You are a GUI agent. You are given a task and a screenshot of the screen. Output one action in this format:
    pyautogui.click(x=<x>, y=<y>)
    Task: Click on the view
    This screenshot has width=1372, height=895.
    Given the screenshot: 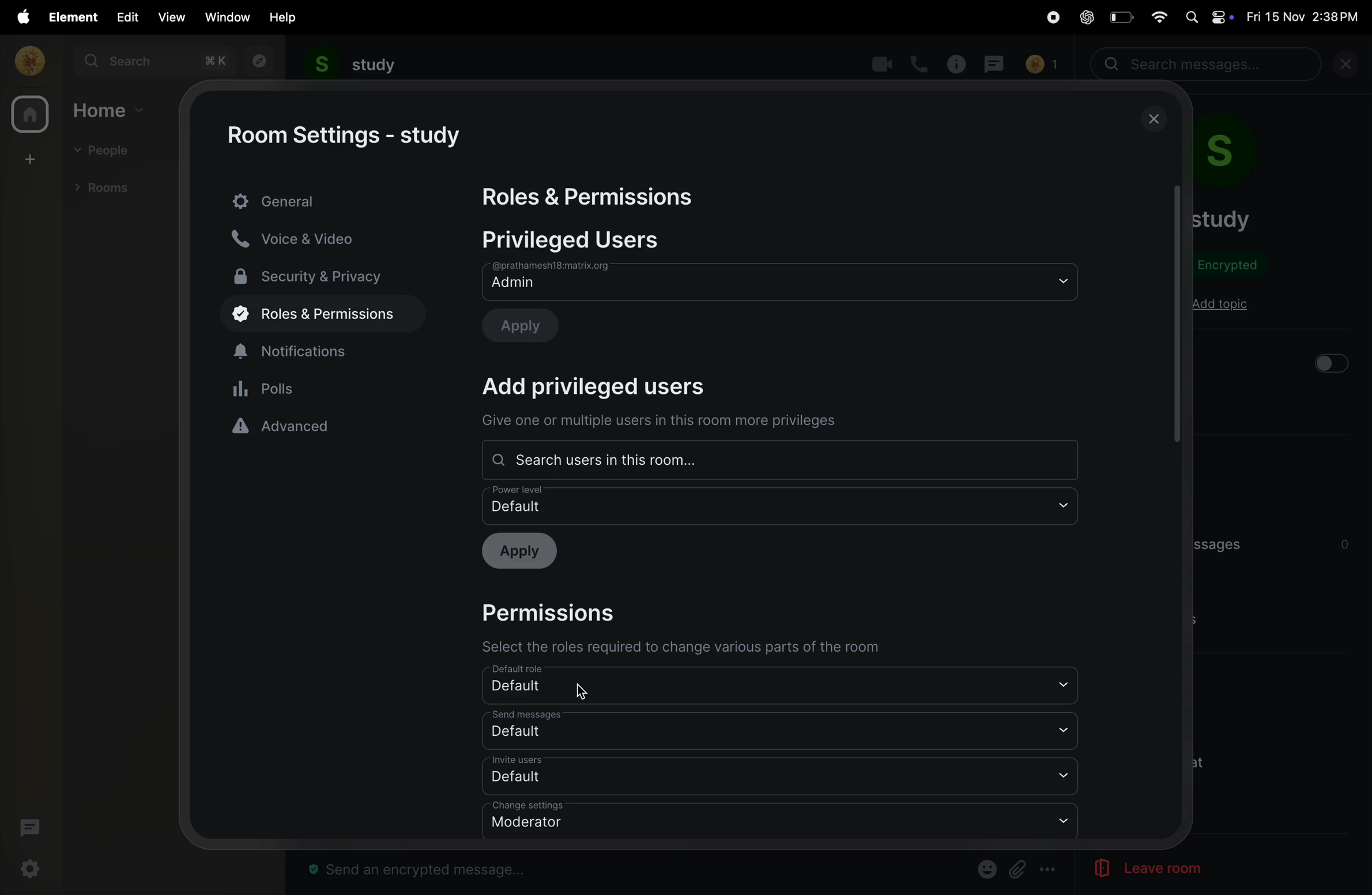 What is the action you would take?
    pyautogui.click(x=170, y=17)
    